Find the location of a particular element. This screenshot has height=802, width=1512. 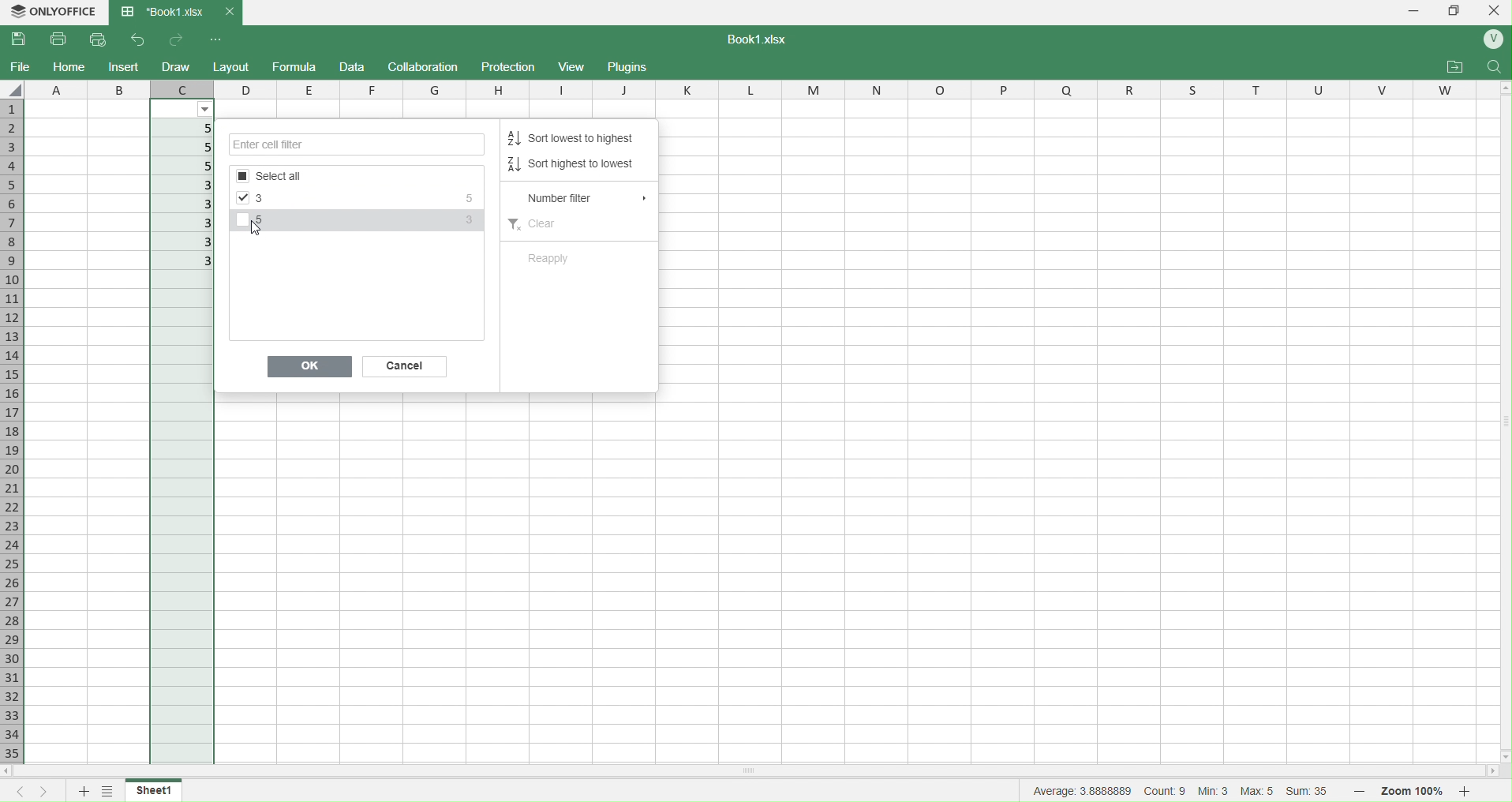

Box is located at coordinates (1456, 10).